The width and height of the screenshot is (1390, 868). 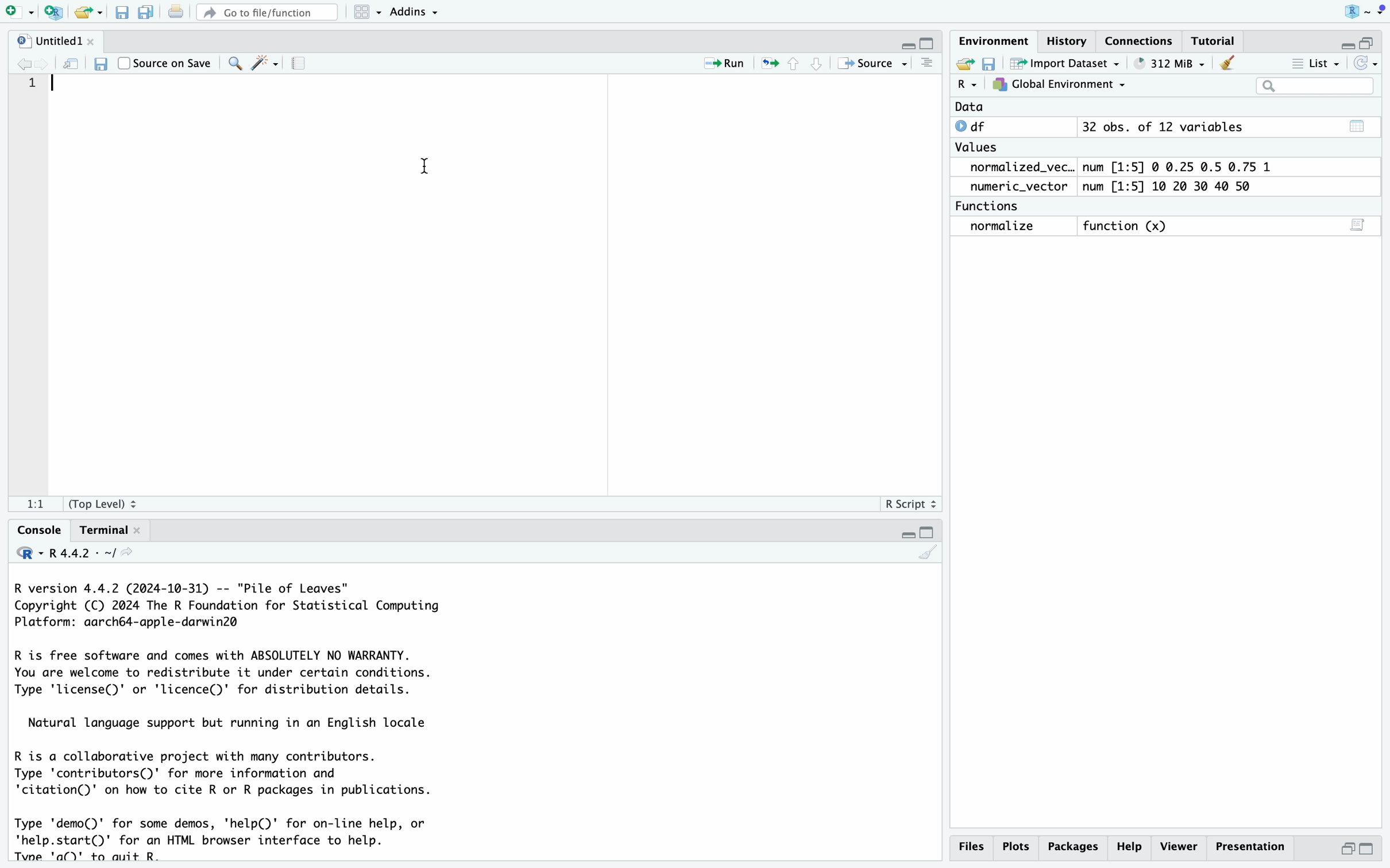 What do you see at coordinates (1074, 847) in the screenshot?
I see `Packages` at bounding box center [1074, 847].